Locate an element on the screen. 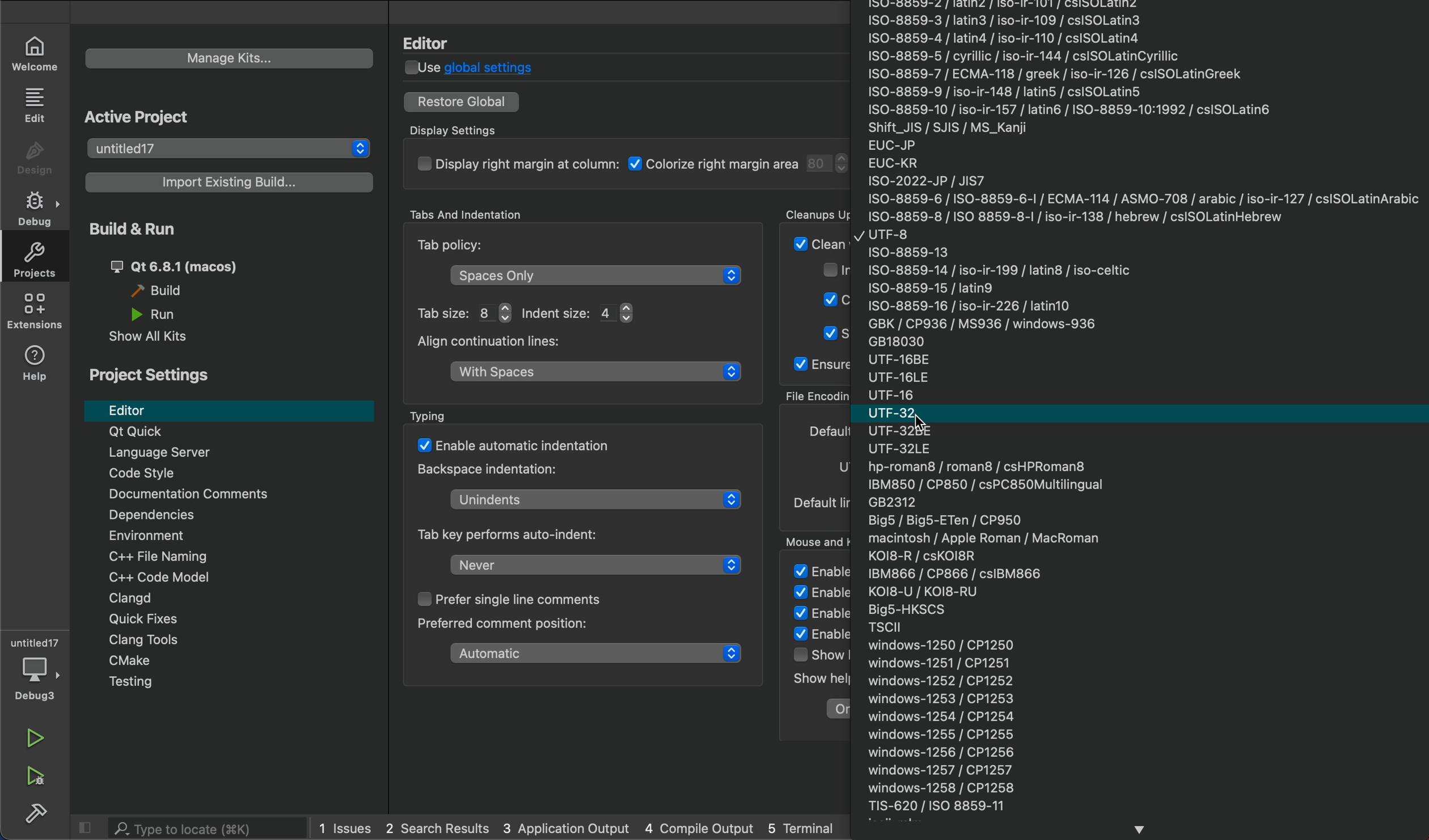 This screenshot has width=1429, height=840. Project Settings is located at coordinates (160, 377).